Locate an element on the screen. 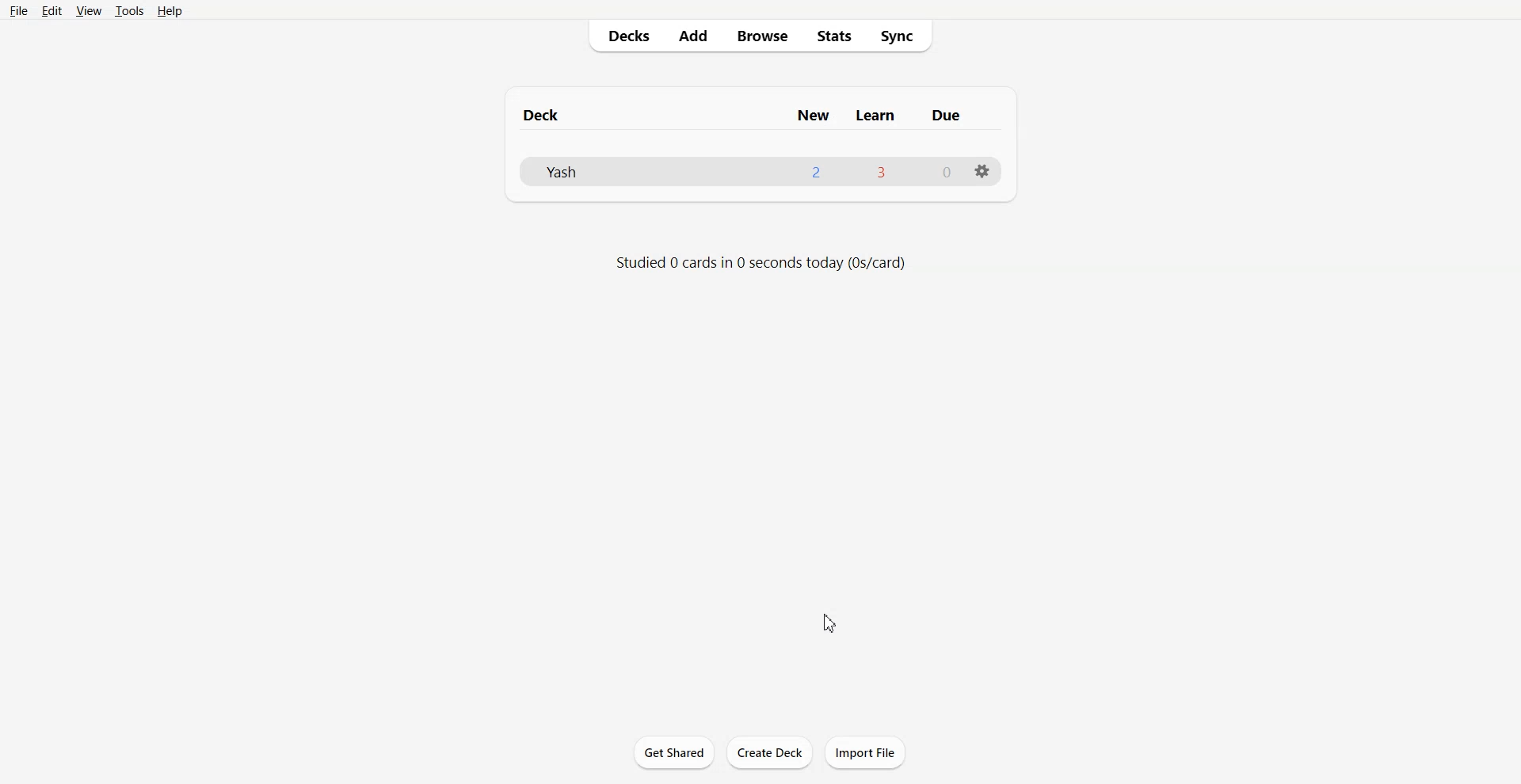 This screenshot has width=1521, height=784. Sync is located at coordinates (904, 36).